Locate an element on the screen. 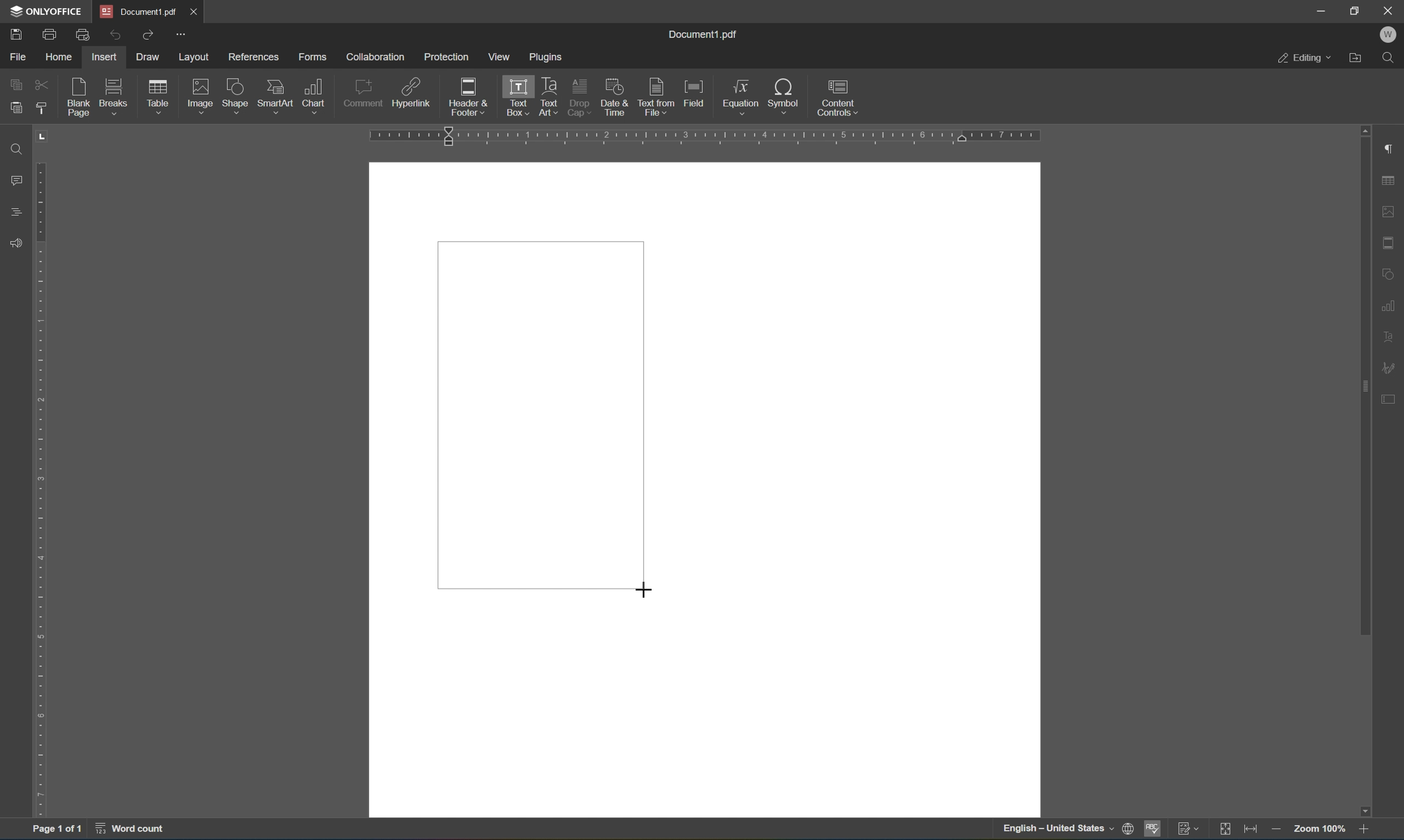 This screenshot has height=840, width=1404. Shape settings is located at coordinates (1389, 273).